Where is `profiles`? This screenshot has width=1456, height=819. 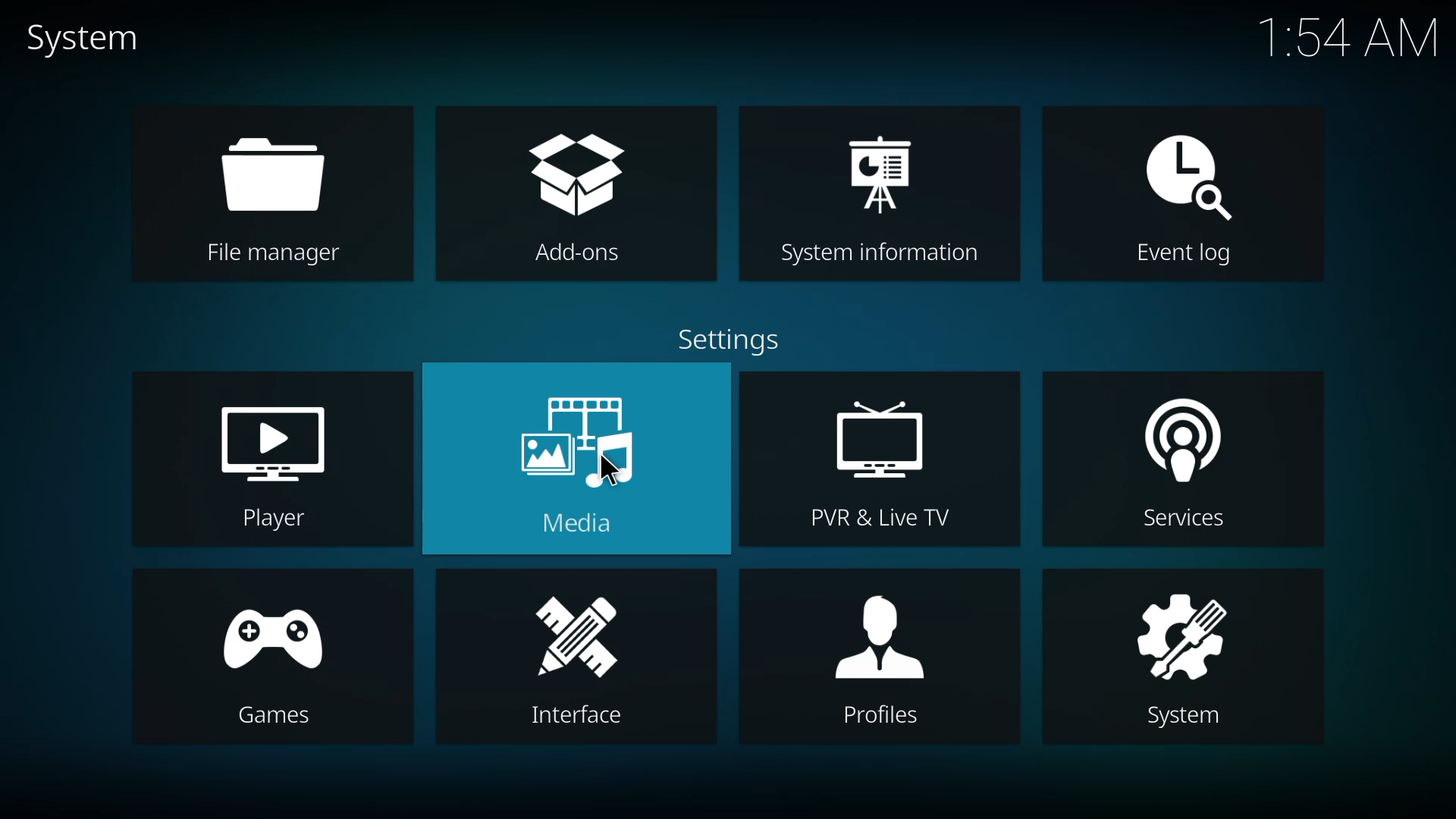
profiles is located at coordinates (877, 667).